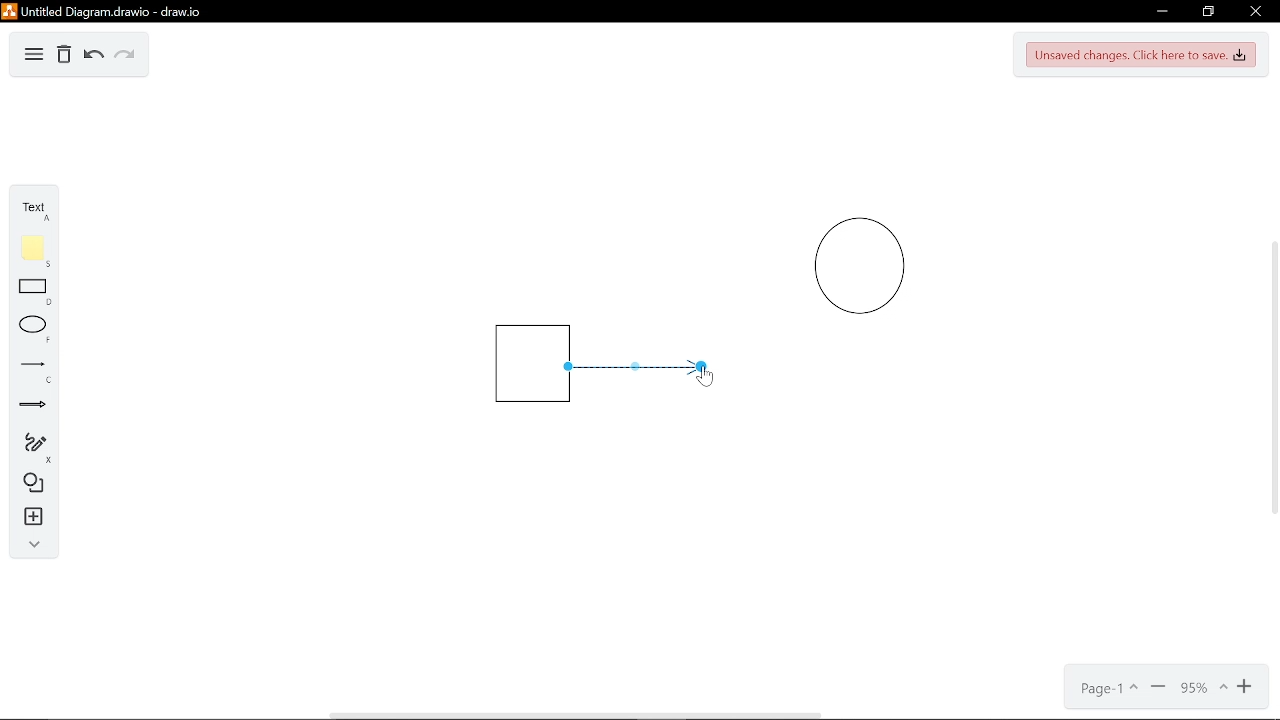  I want to click on Redo, so click(125, 56).